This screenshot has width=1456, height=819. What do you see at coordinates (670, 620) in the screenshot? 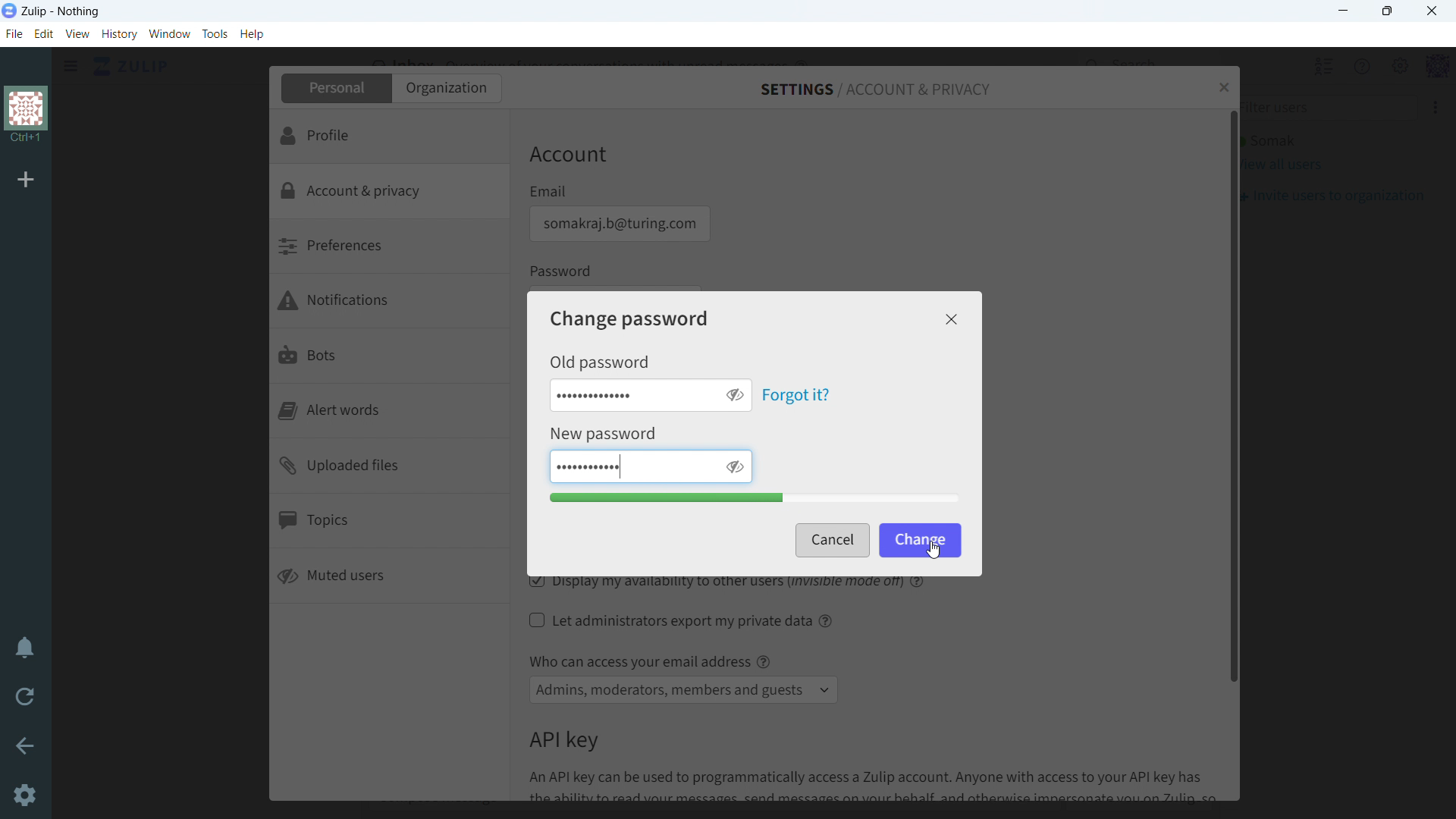
I see `let administrators export my private data` at bounding box center [670, 620].